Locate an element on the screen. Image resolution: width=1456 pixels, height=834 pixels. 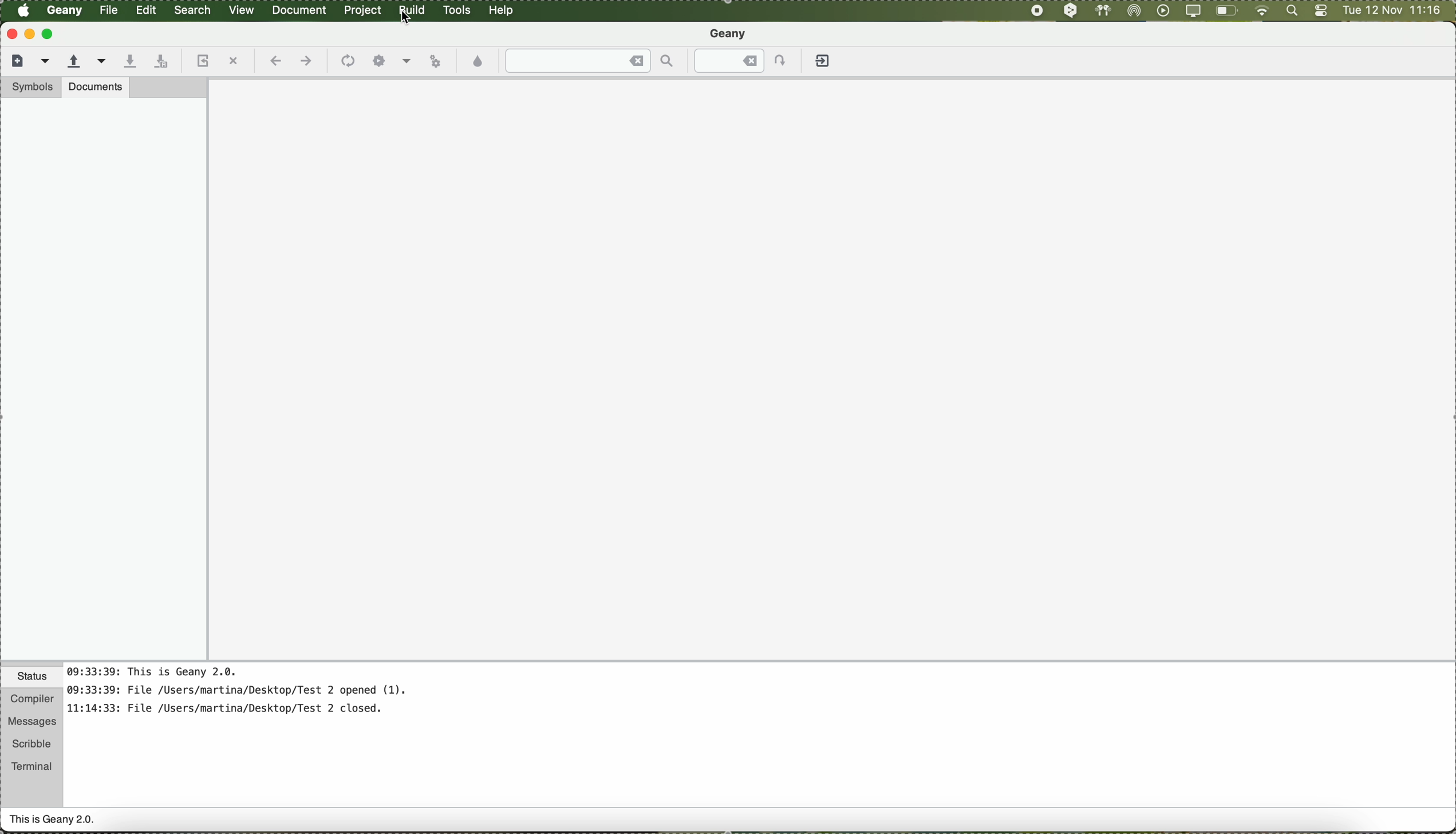
save the current file is located at coordinates (129, 62).